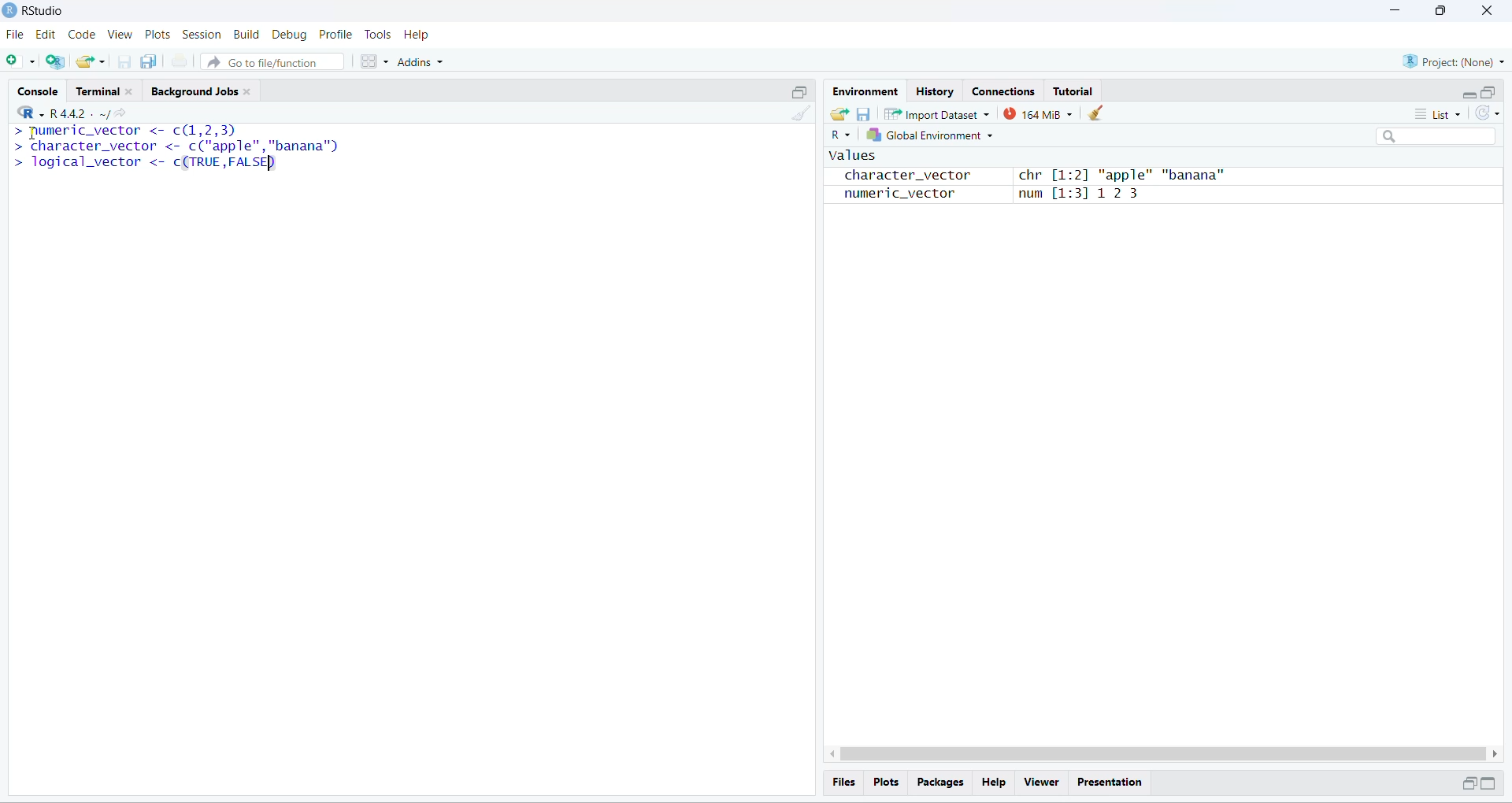 The image size is (1512, 803). Describe the element at coordinates (890, 194) in the screenshot. I see `numeric_vector` at that location.